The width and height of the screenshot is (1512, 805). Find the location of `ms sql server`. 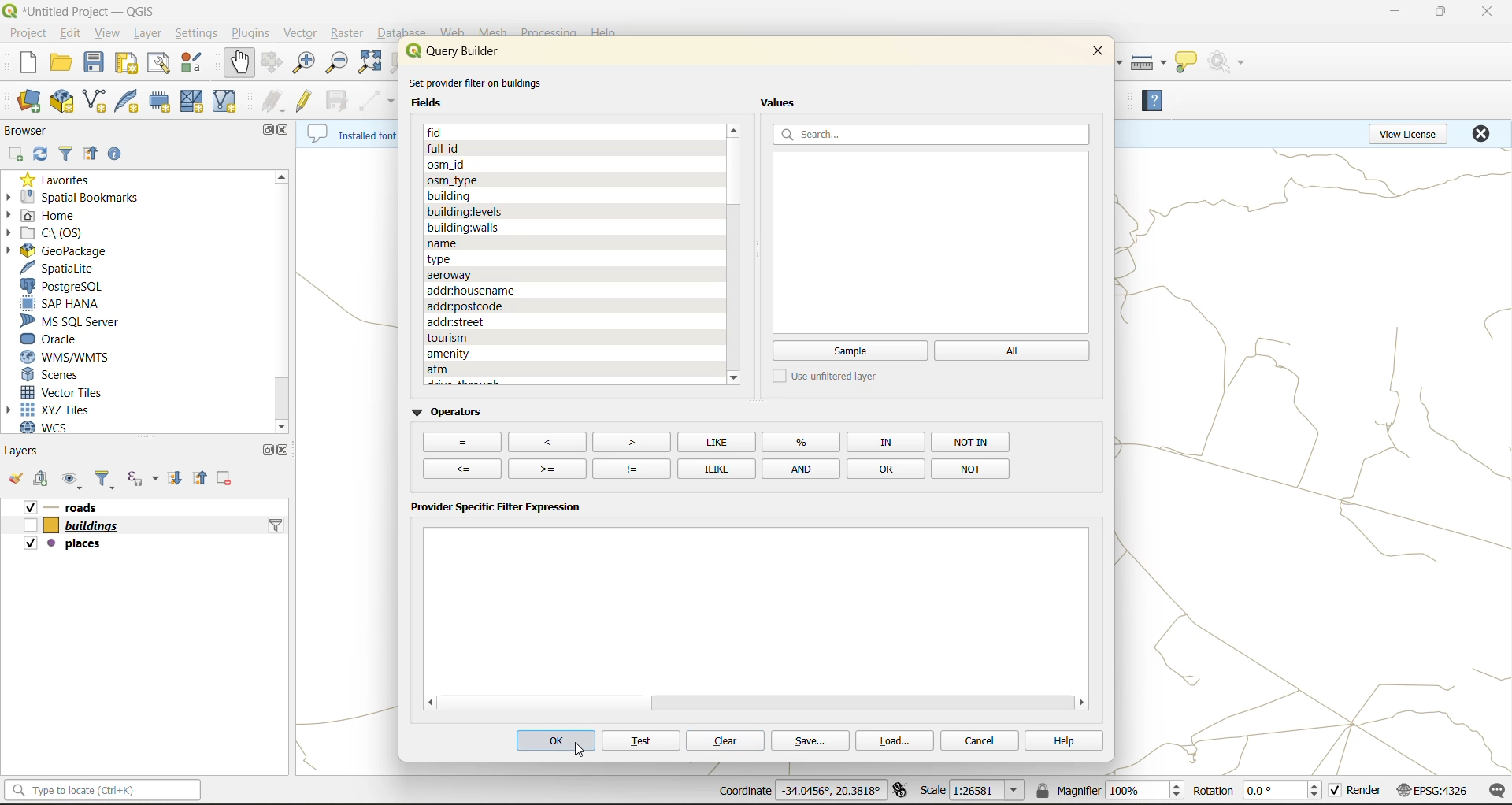

ms sql server is located at coordinates (74, 321).